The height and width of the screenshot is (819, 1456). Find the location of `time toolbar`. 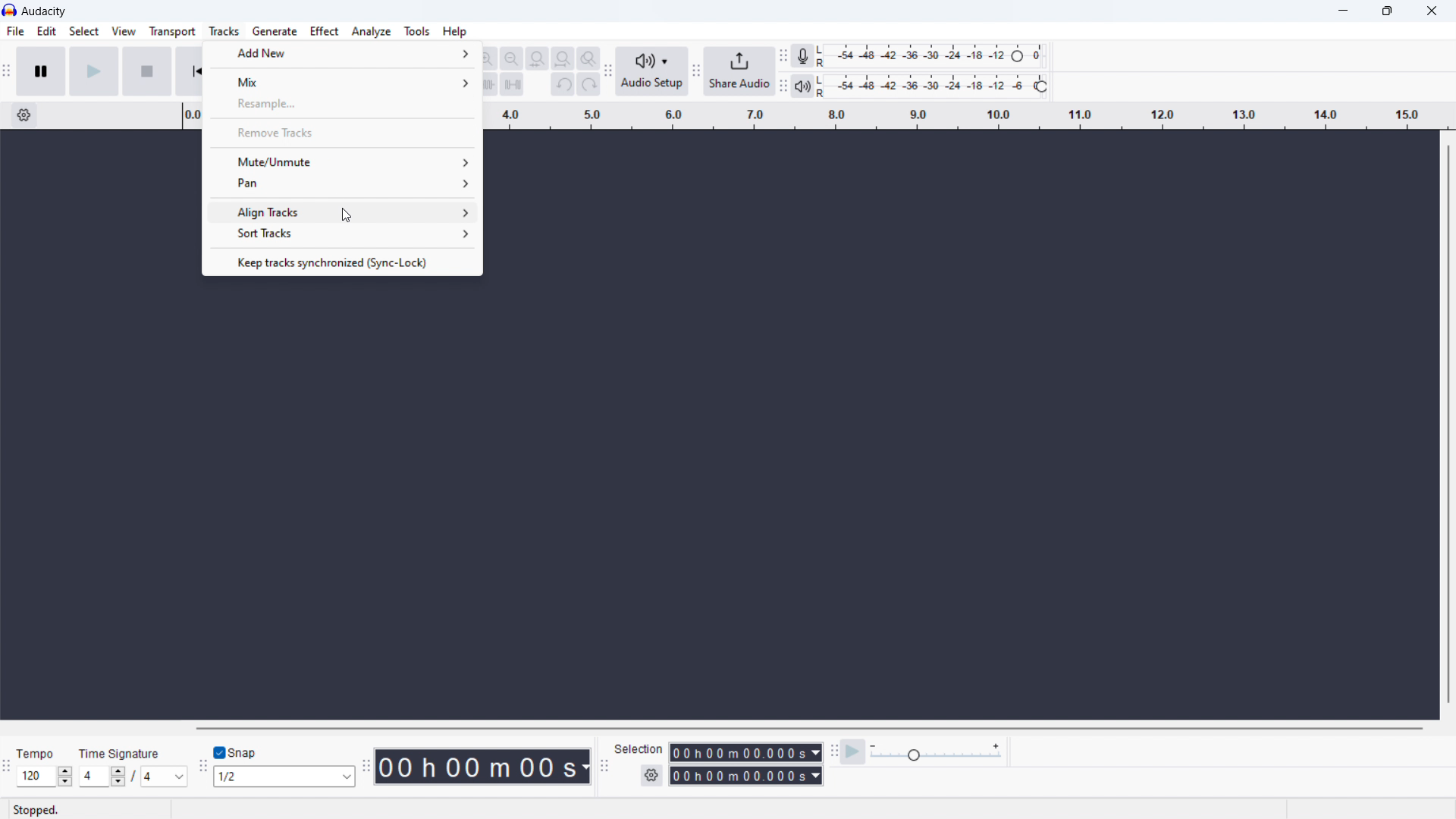

time toolbar is located at coordinates (366, 762).